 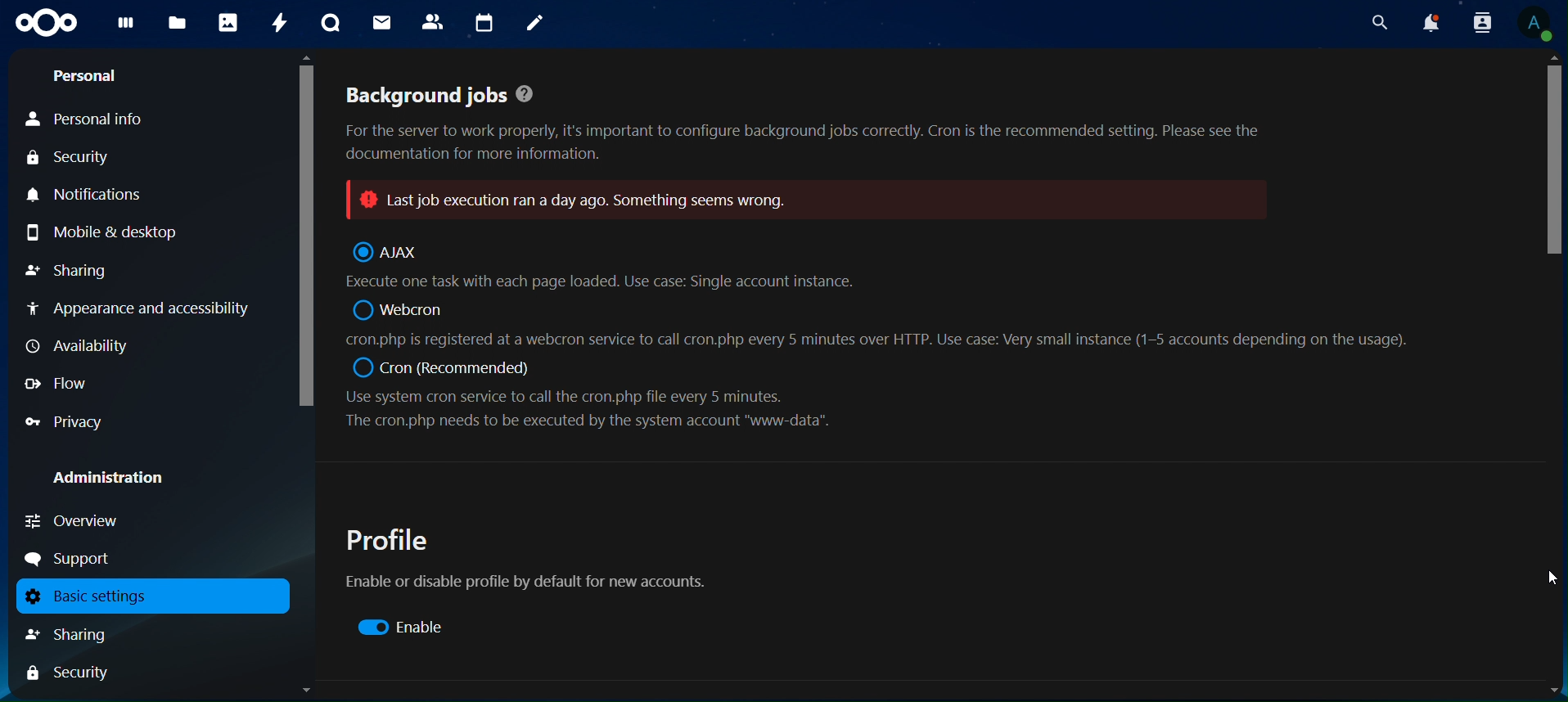 What do you see at coordinates (487, 23) in the screenshot?
I see `calendar` at bounding box center [487, 23].